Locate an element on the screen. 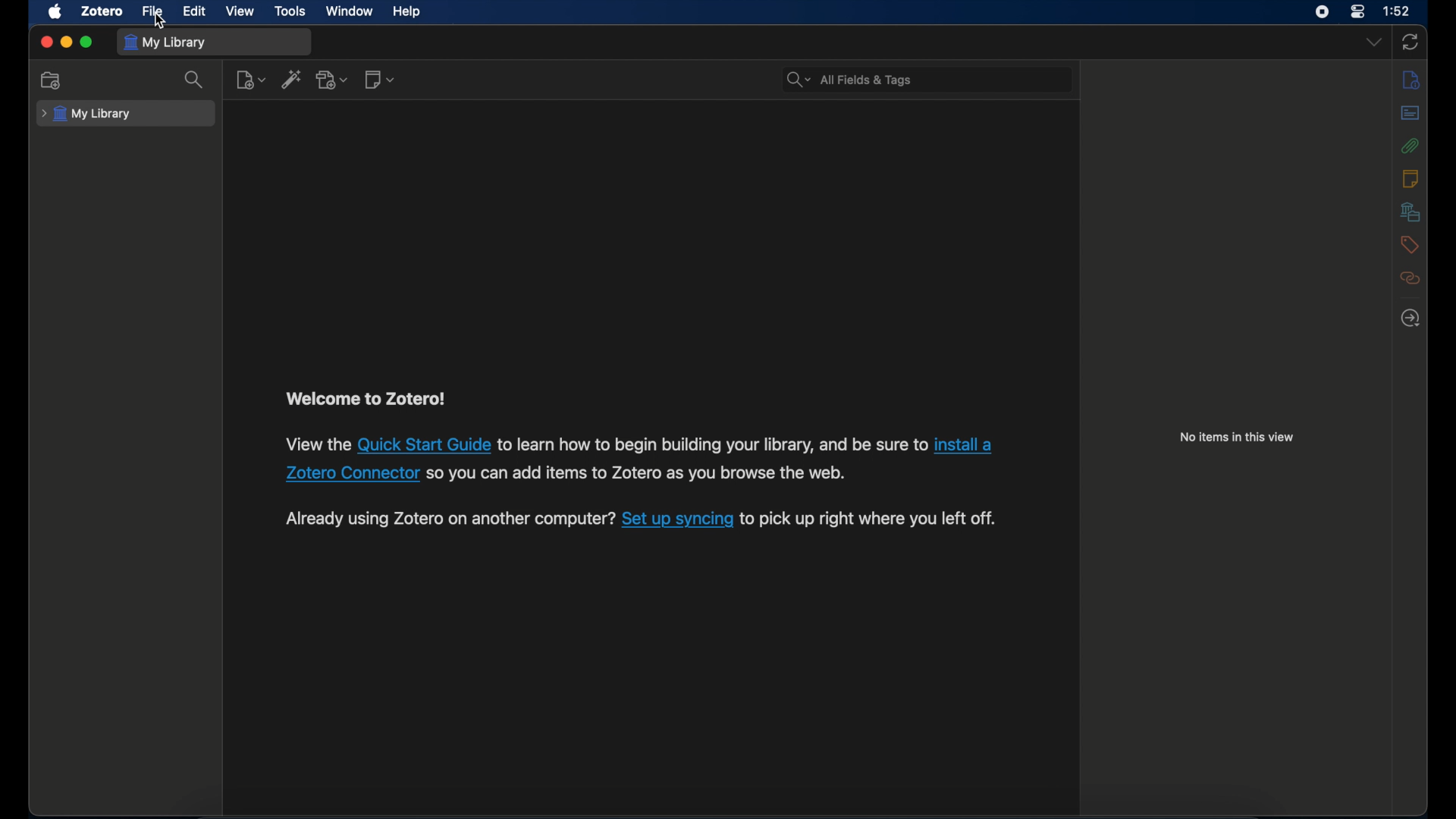 The width and height of the screenshot is (1456, 819). maximize is located at coordinates (86, 42).